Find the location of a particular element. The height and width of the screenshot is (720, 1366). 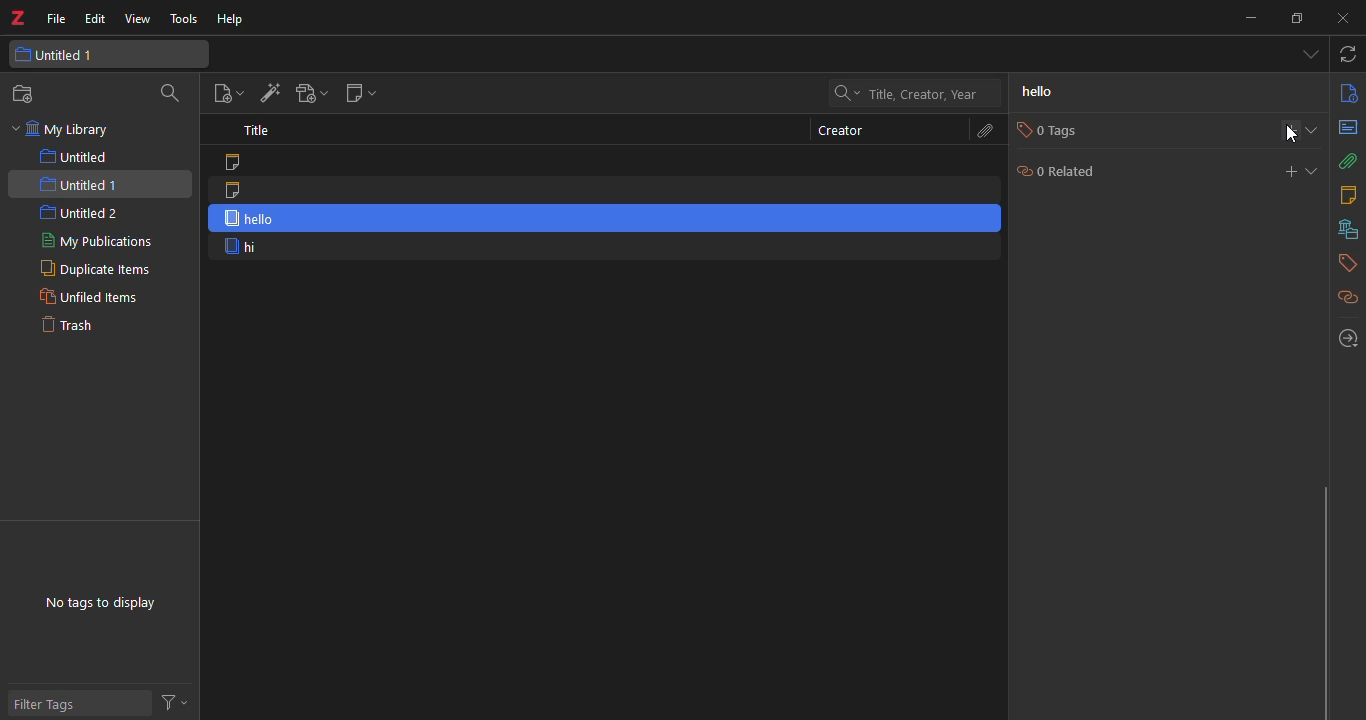

search is located at coordinates (172, 94).